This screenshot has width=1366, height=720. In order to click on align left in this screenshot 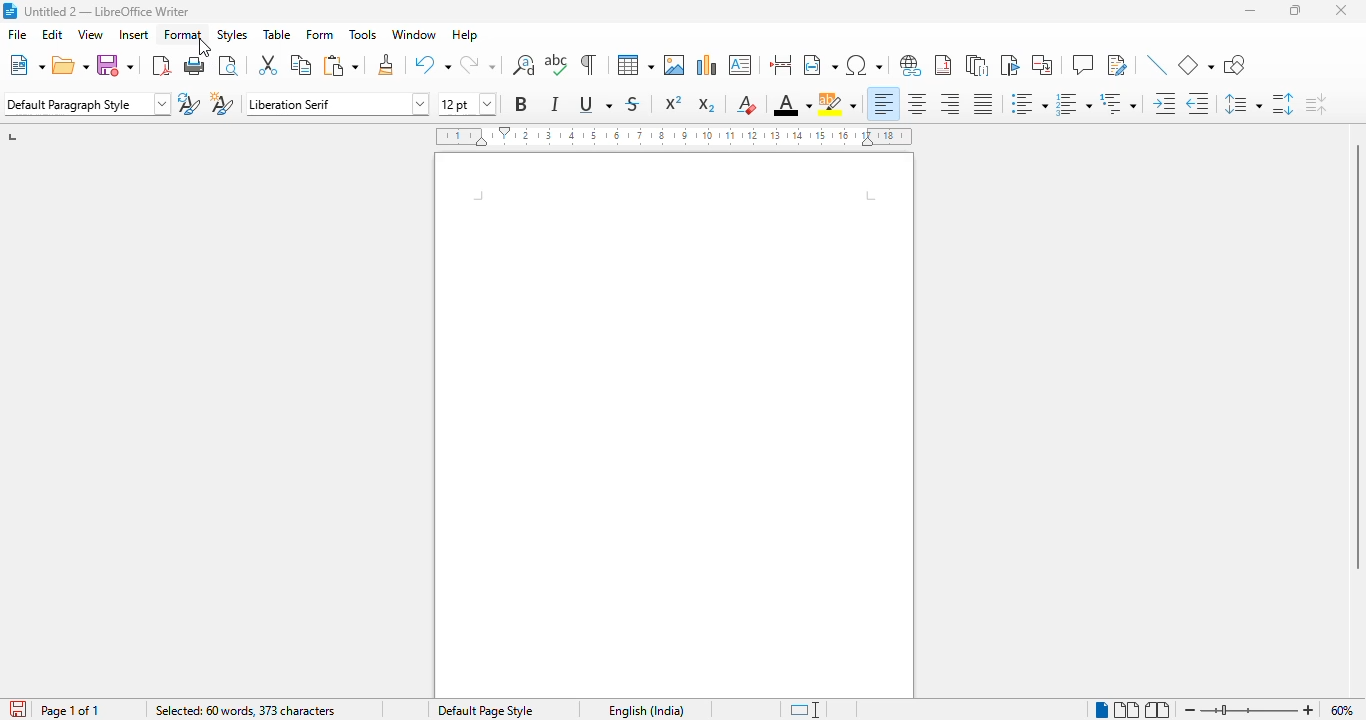, I will do `click(884, 103)`.